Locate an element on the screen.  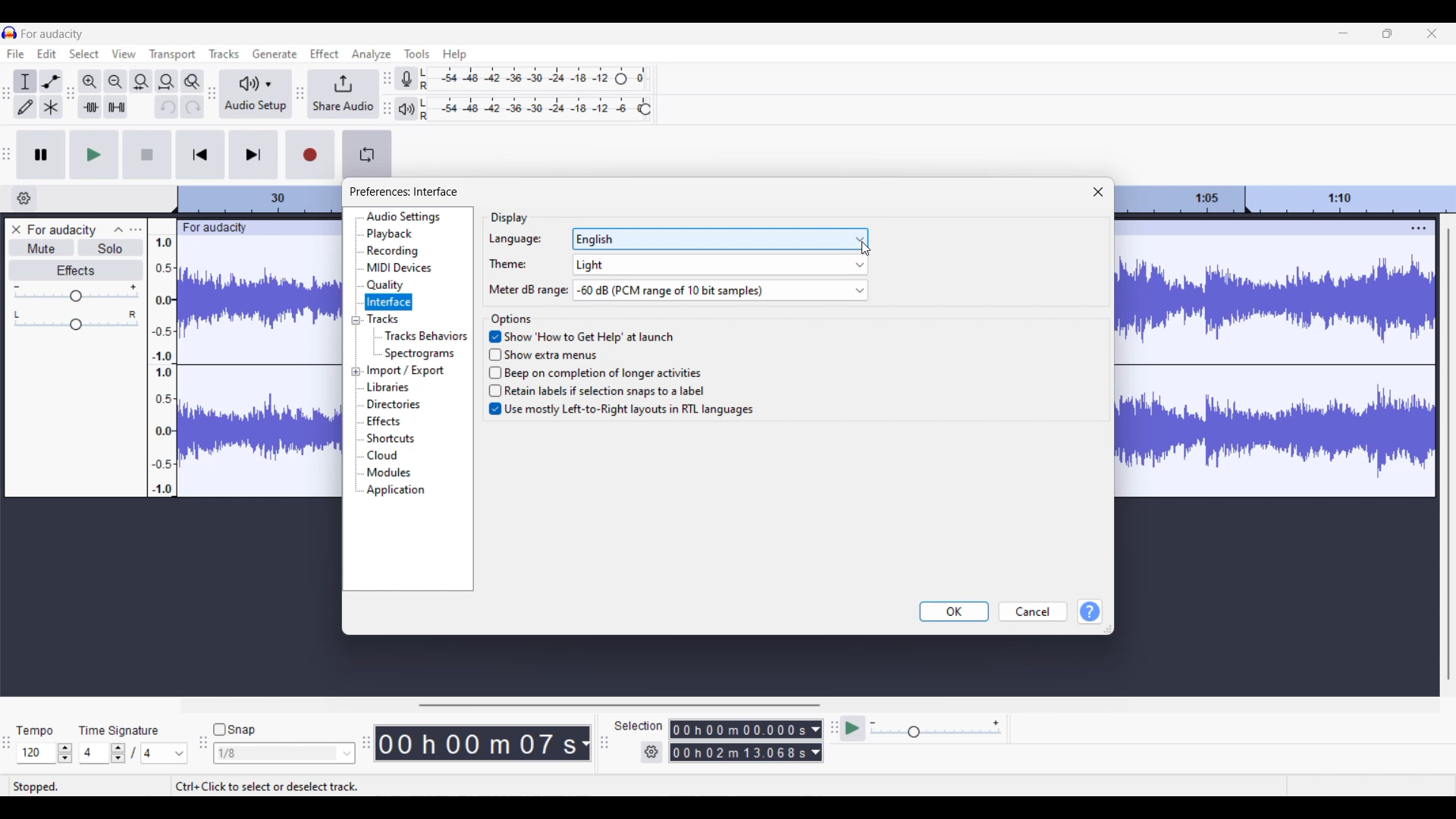
Show ‘How to Get Help’ at launch is located at coordinates (582, 335).